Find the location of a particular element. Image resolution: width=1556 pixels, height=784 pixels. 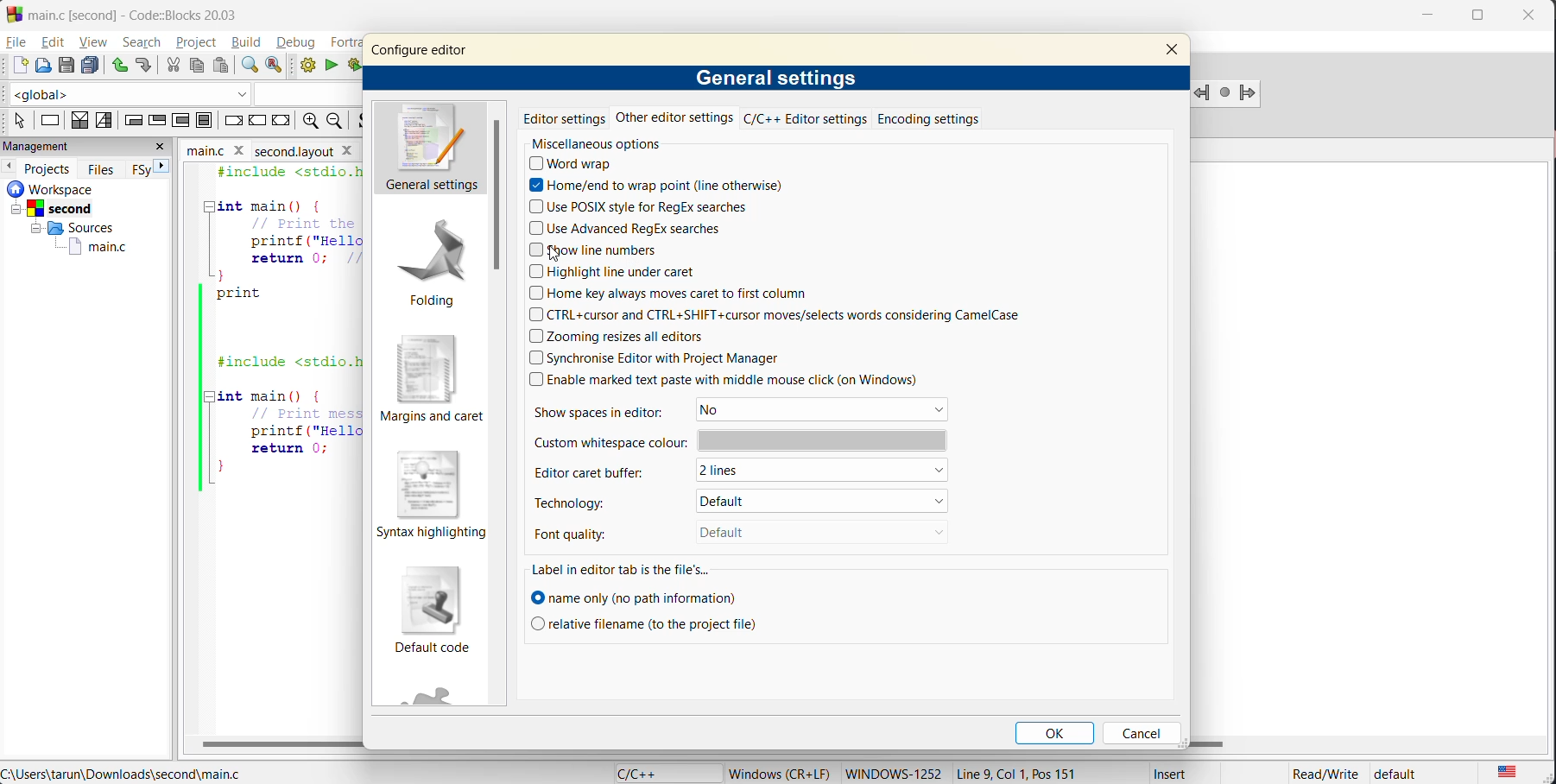

close is located at coordinates (161, 146).